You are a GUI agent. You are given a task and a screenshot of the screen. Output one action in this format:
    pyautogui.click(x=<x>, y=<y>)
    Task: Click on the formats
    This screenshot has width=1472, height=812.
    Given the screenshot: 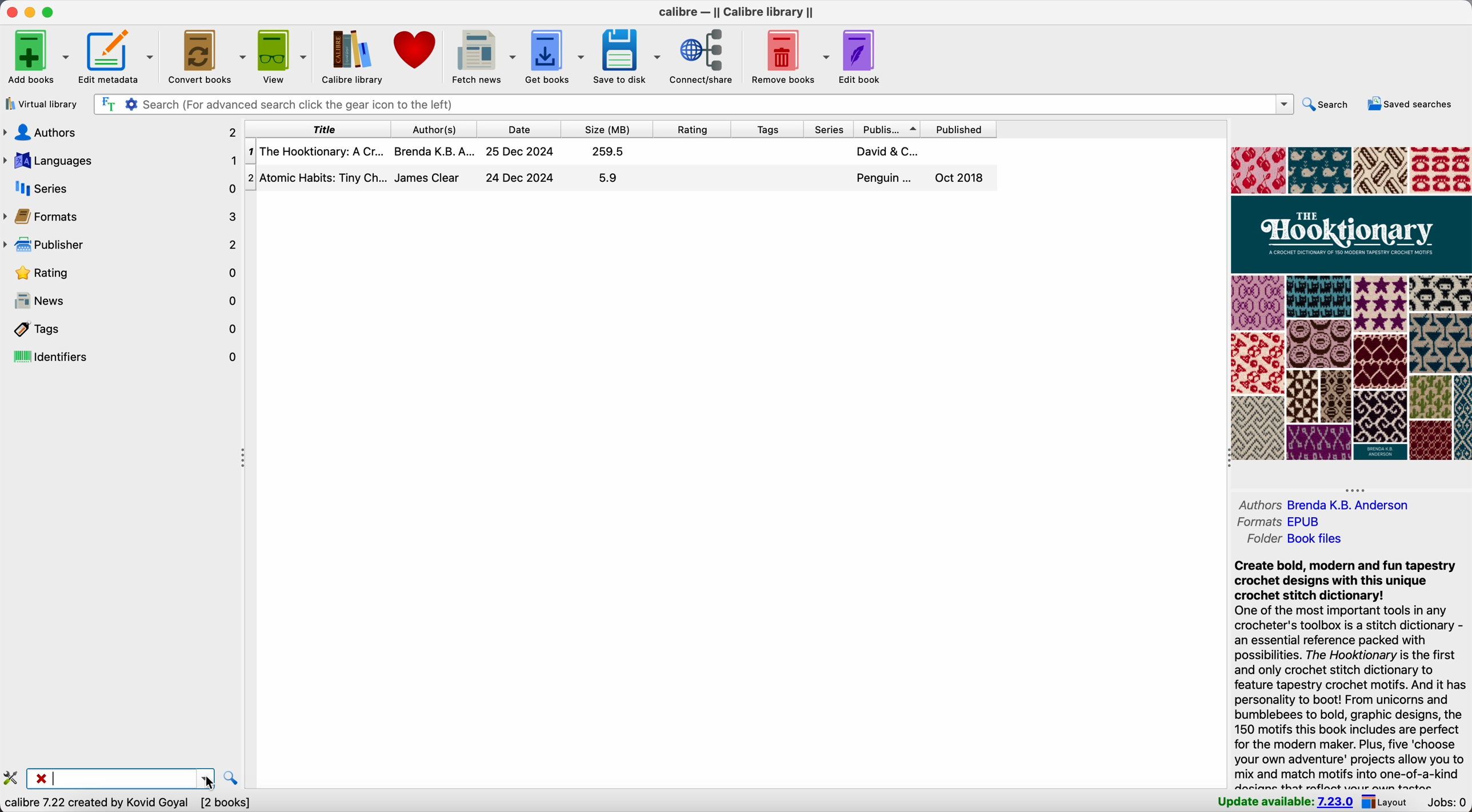 What is the action you would take?
    pyautogui.click(x=1278, y=522)
    